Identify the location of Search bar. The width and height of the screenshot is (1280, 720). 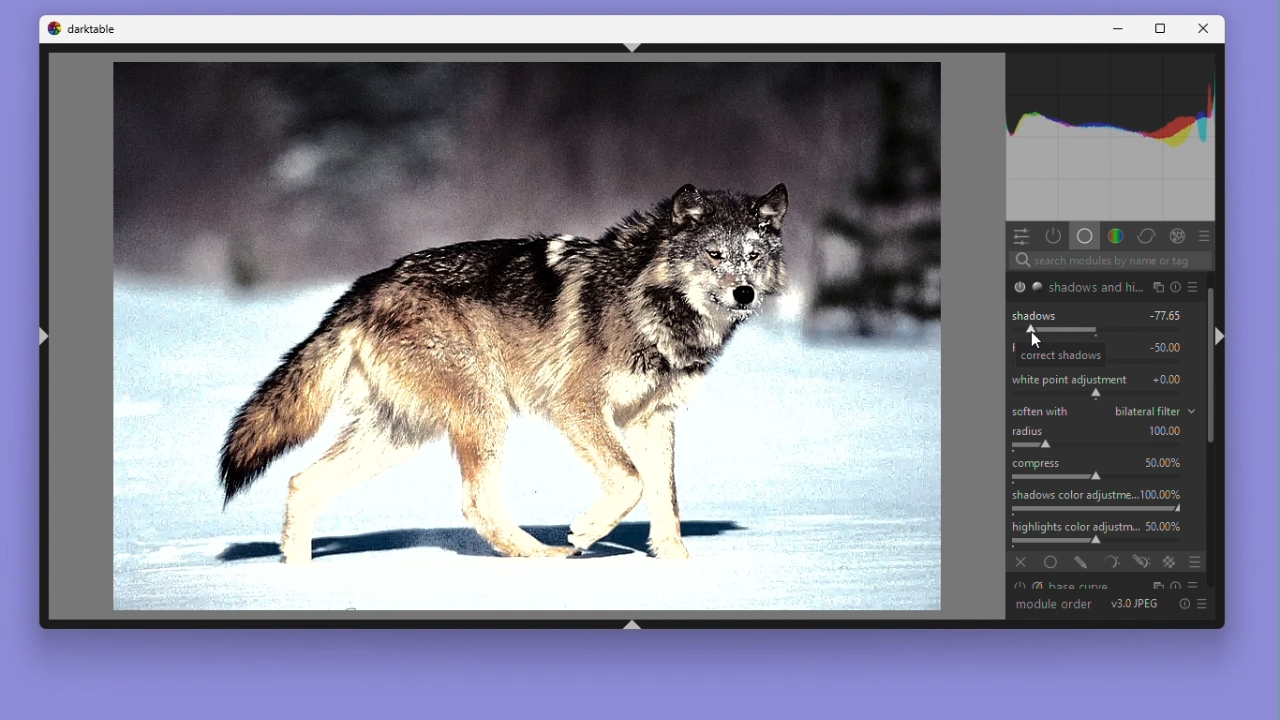
(1112, 261).